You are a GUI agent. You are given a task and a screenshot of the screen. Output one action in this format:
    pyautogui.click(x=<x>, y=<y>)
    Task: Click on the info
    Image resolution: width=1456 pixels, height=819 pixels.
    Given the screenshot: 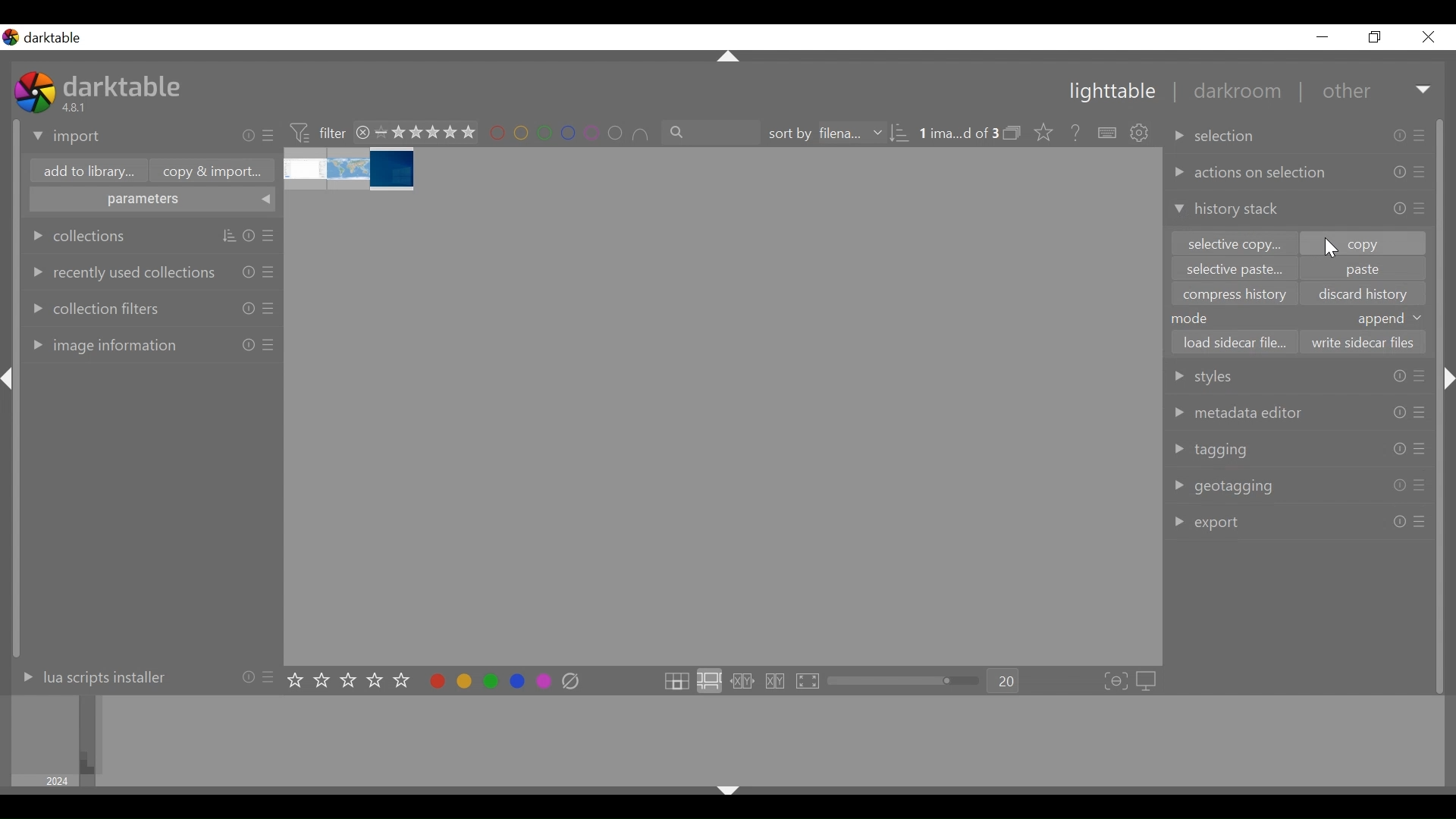 What is the action you would take?
    pyautogui.click(x=1398, y=209)
    